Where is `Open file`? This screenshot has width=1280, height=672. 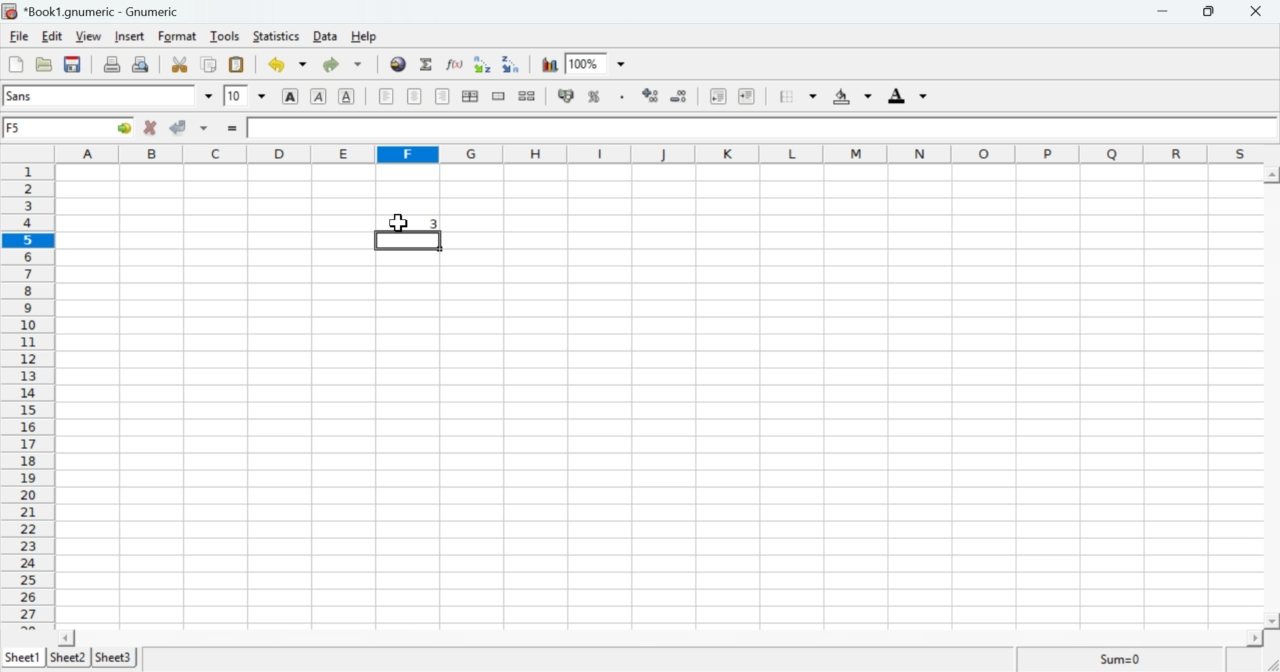
Open file is located at coordinates (43, 63).